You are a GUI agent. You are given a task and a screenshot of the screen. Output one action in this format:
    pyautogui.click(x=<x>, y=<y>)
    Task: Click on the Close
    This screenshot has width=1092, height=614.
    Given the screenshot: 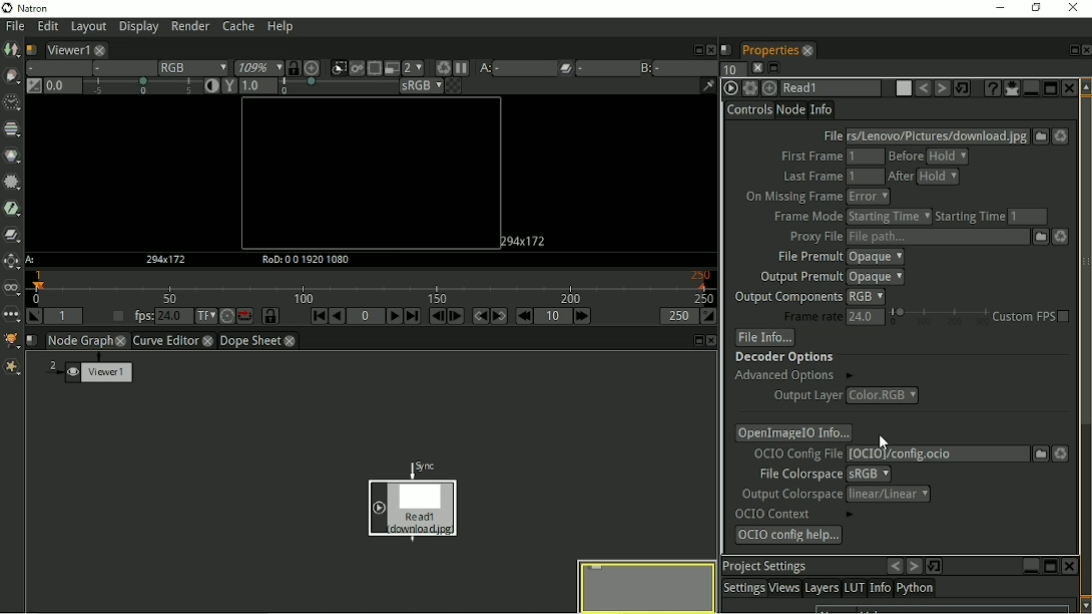 What is the action you would take?
    pyautogui.click(x=710, y=48)
    